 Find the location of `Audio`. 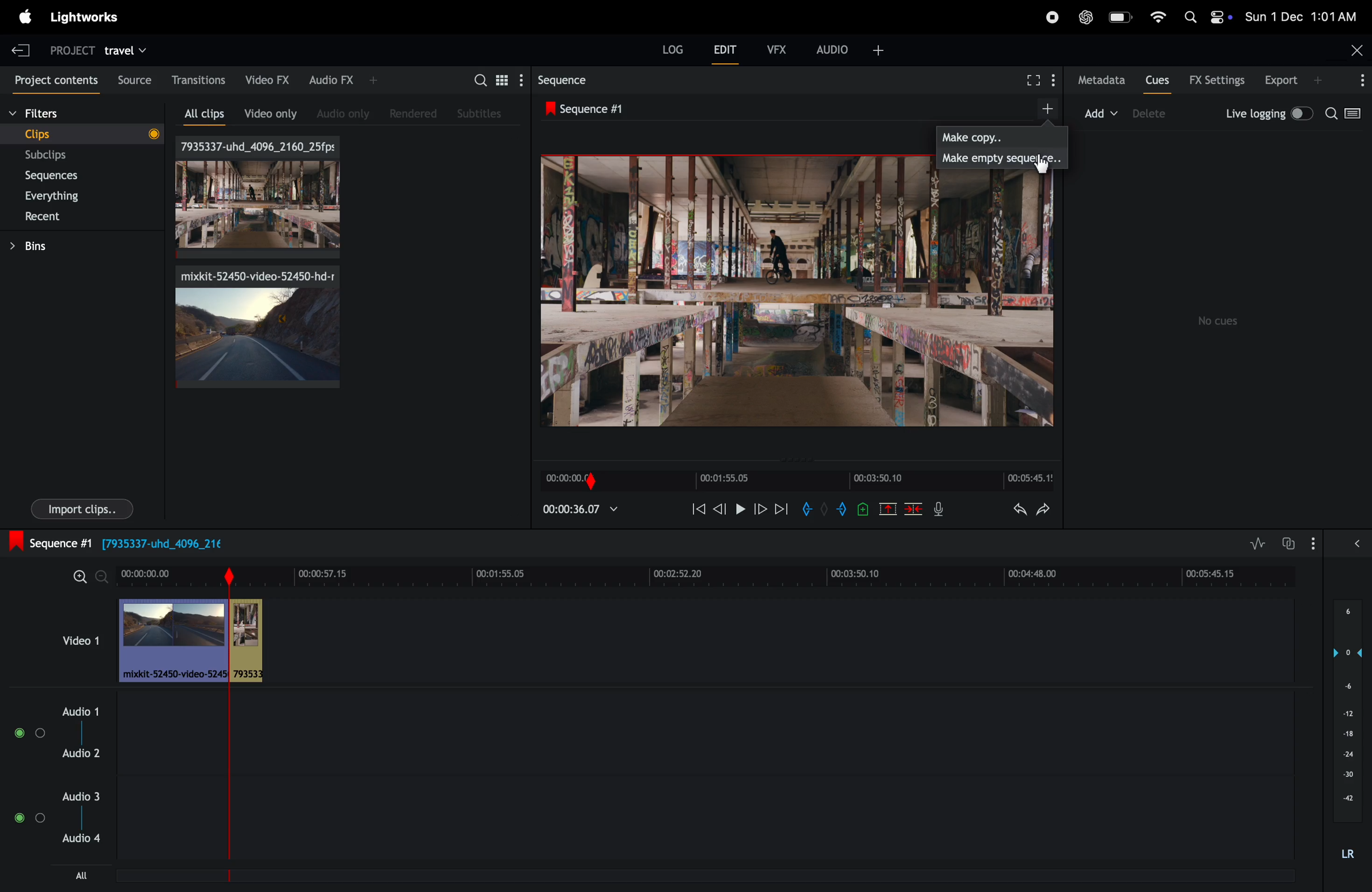

Audio is located at coordinates (26, 734).